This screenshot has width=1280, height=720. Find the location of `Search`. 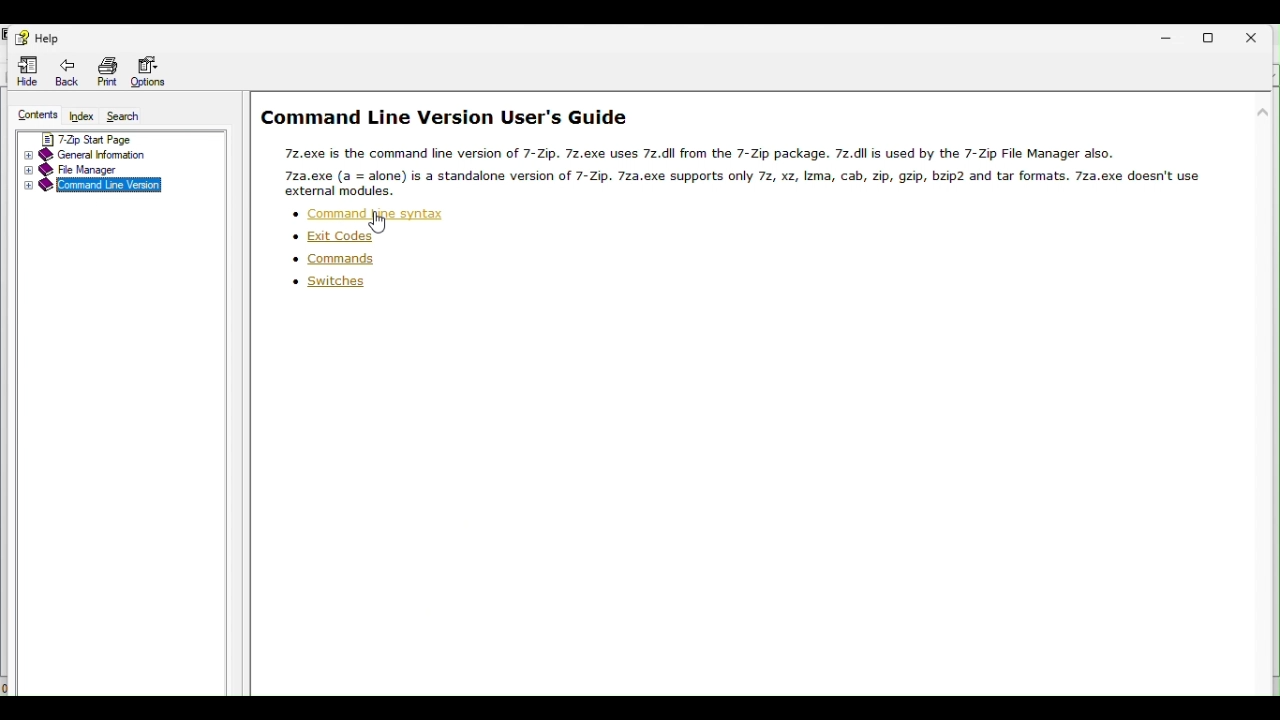

Search is located at coordinates (127, 118).